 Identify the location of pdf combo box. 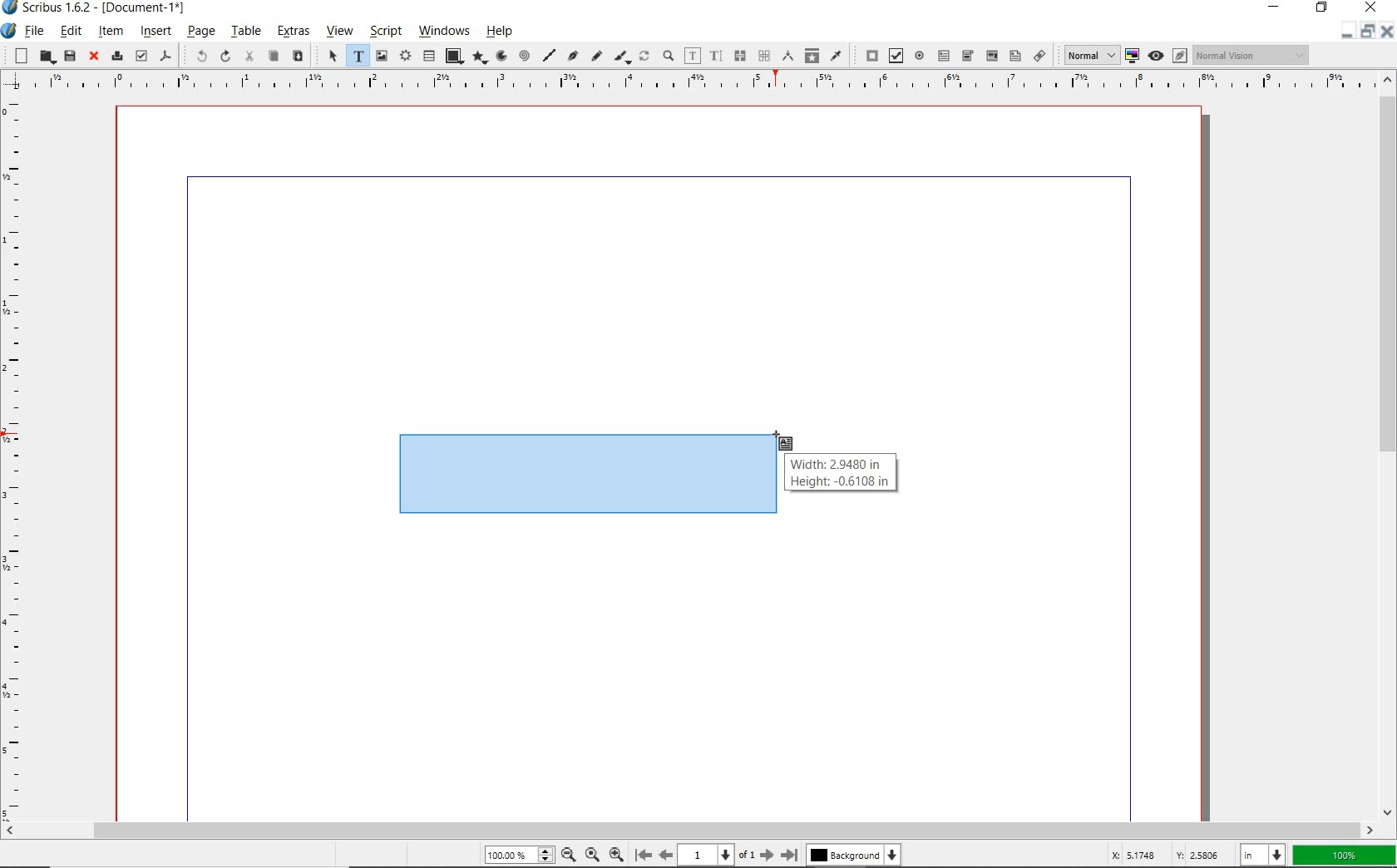
(967, 56).